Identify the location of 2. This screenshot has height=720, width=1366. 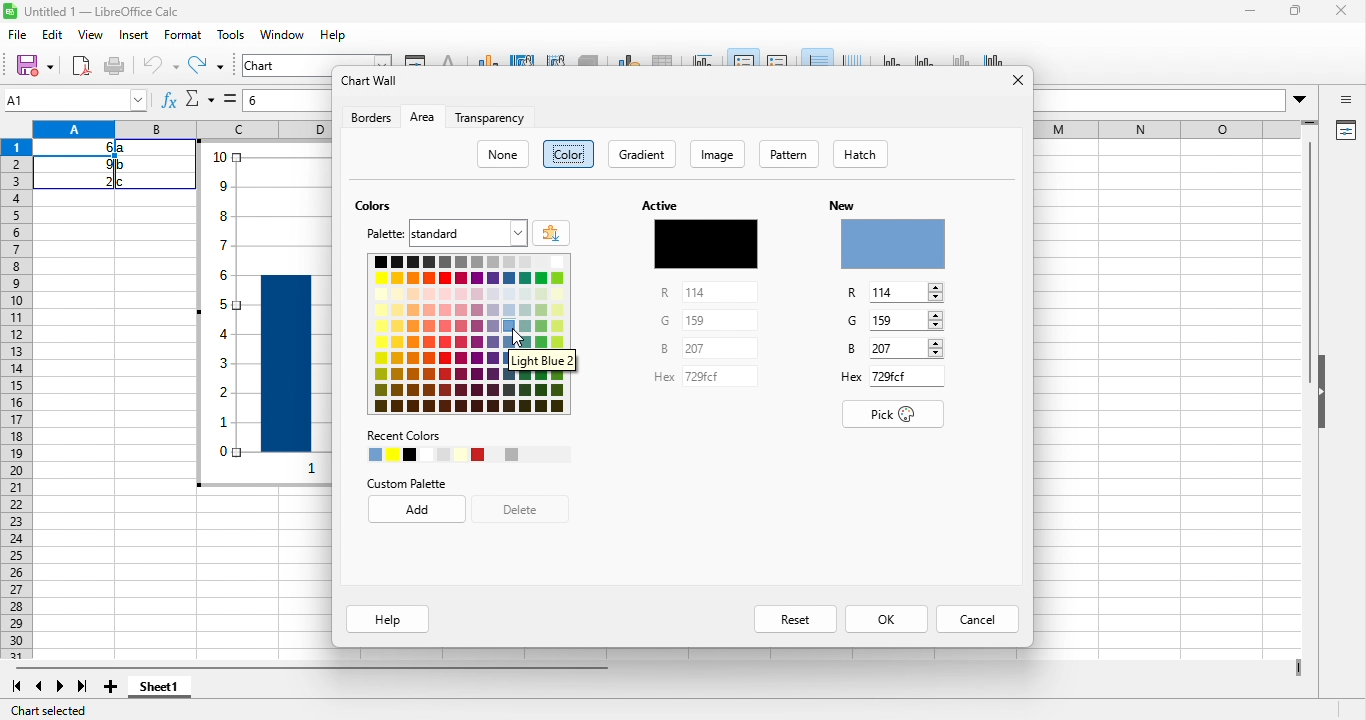
(98, 182).